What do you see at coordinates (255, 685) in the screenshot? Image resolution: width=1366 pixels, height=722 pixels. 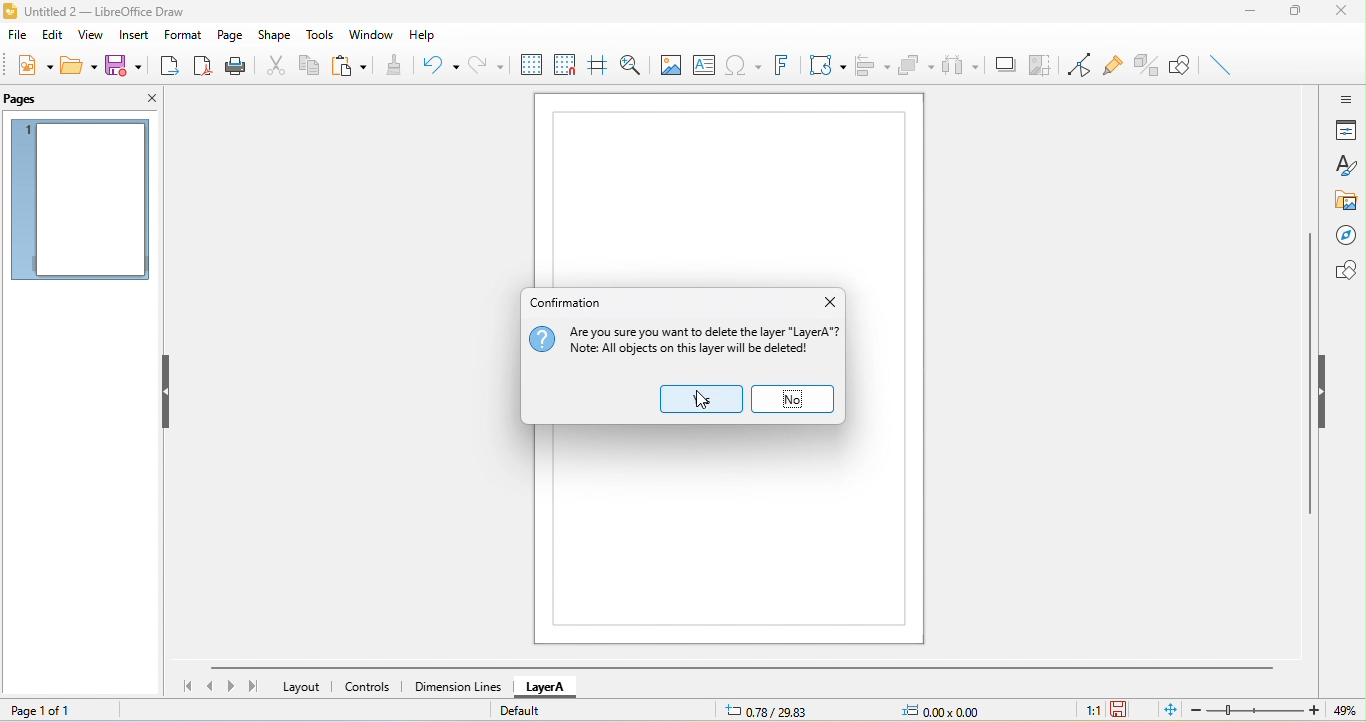 I see `last page` at bounding box center [255, 685].